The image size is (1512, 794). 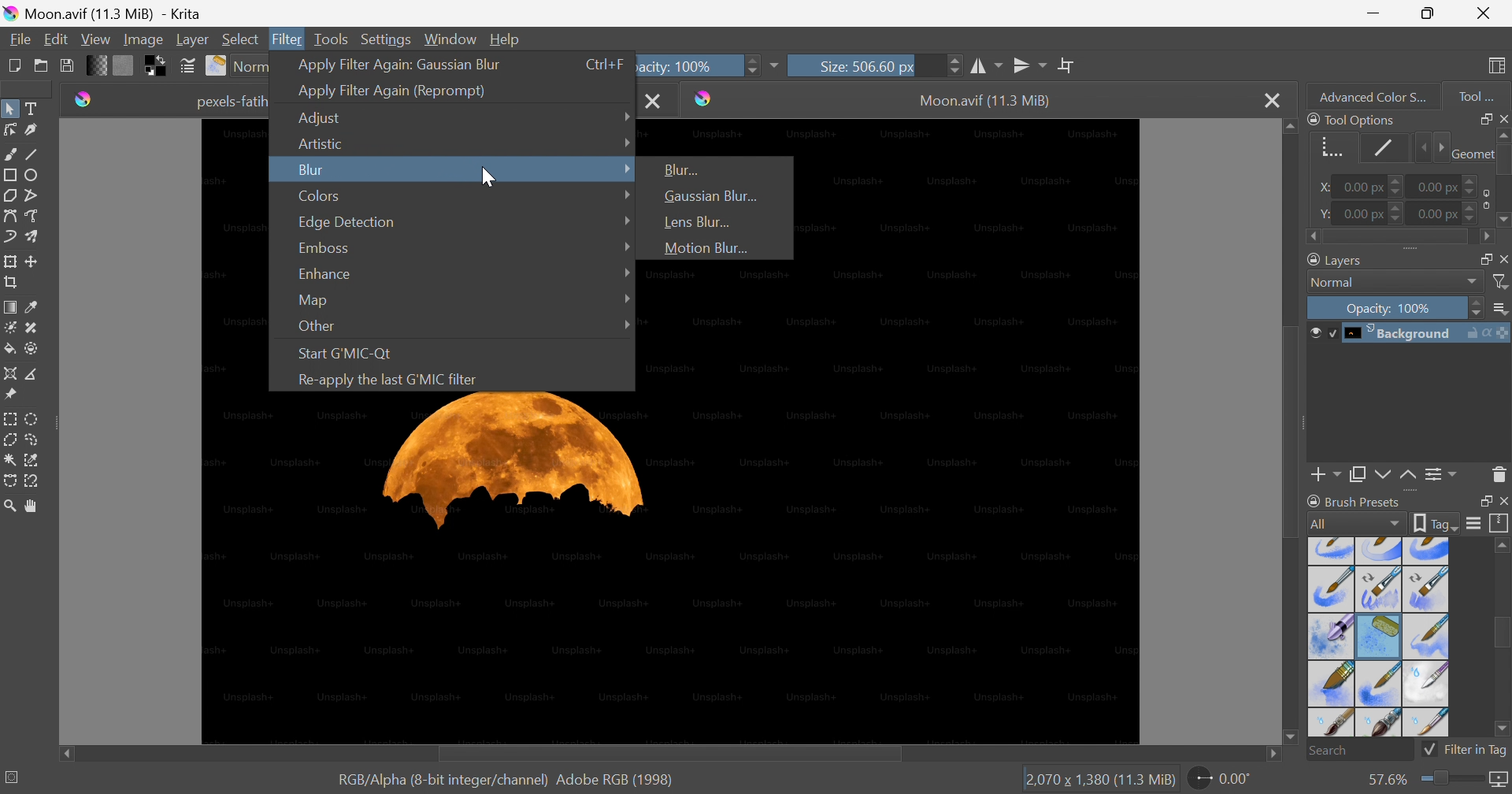 I want to click on Scroll up, so click(x=1503, y=544).